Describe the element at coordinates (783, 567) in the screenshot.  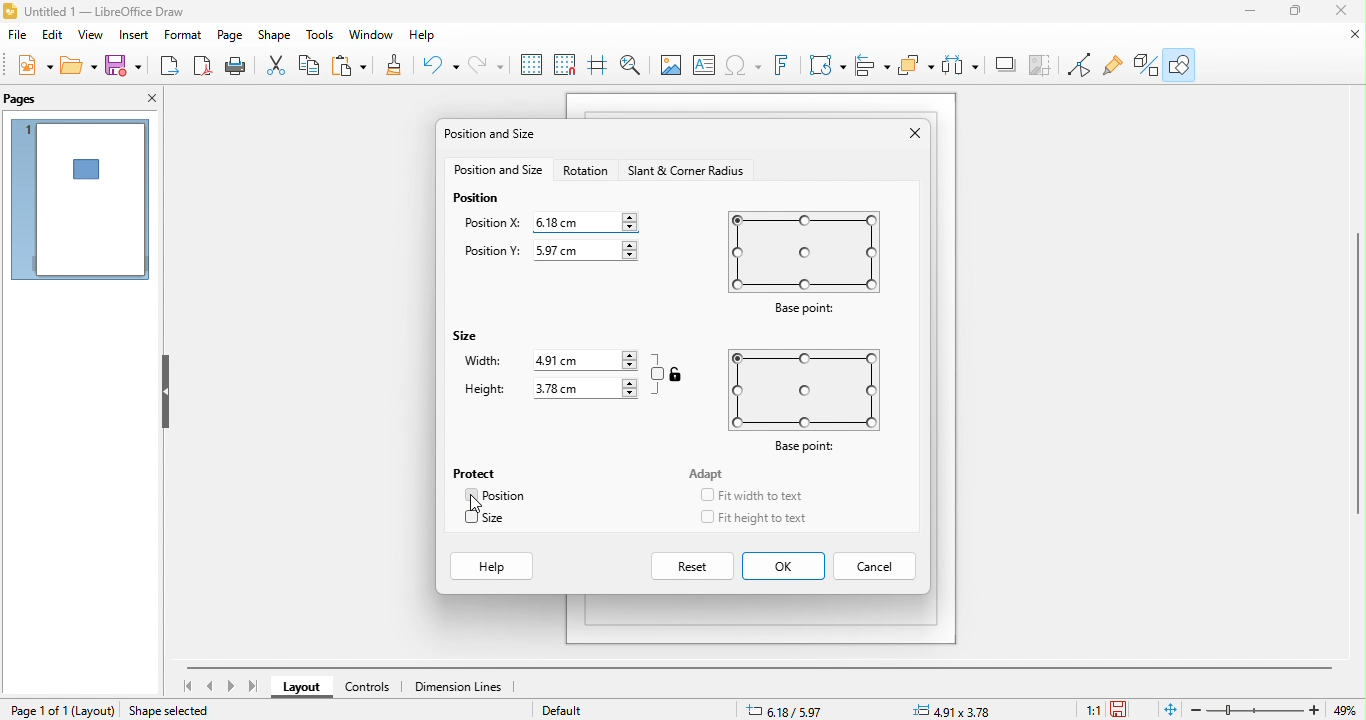
I see `ok` at that location.